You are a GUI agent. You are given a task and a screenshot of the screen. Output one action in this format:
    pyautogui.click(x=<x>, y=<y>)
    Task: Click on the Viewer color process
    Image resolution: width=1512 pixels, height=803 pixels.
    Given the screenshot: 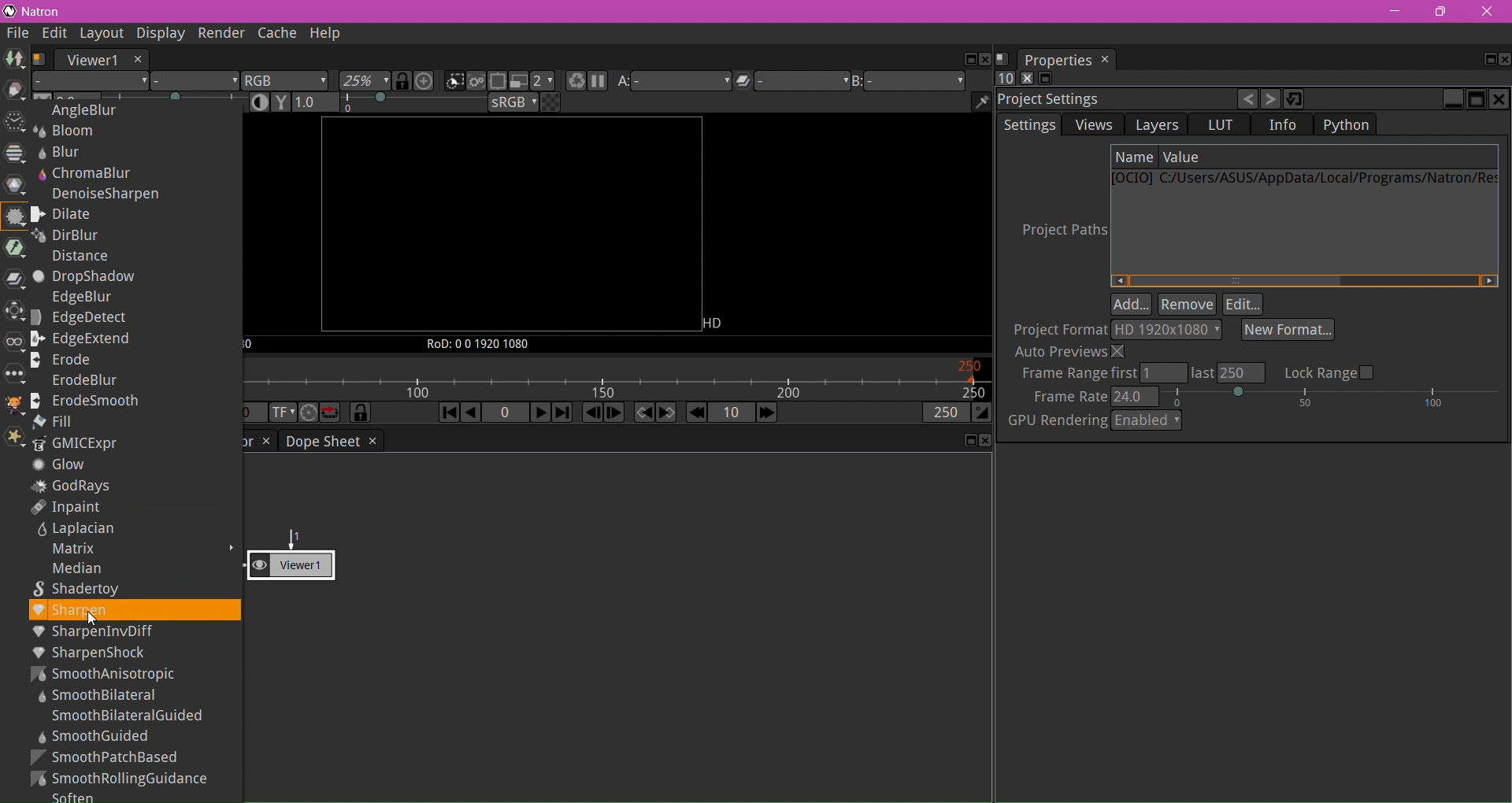 What is the action you would take?
    pyautogui.click(x=514, y=104)
    